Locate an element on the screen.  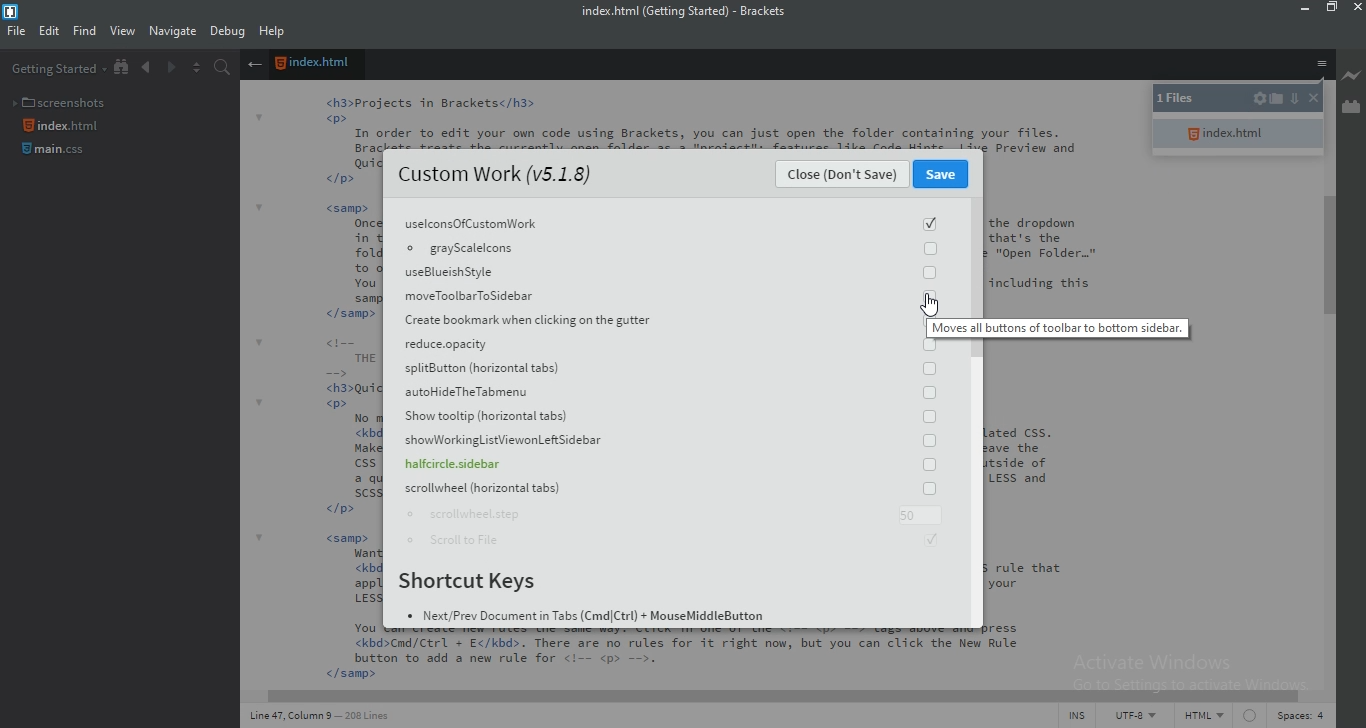
minmise is located at coordinates (1301, 10).